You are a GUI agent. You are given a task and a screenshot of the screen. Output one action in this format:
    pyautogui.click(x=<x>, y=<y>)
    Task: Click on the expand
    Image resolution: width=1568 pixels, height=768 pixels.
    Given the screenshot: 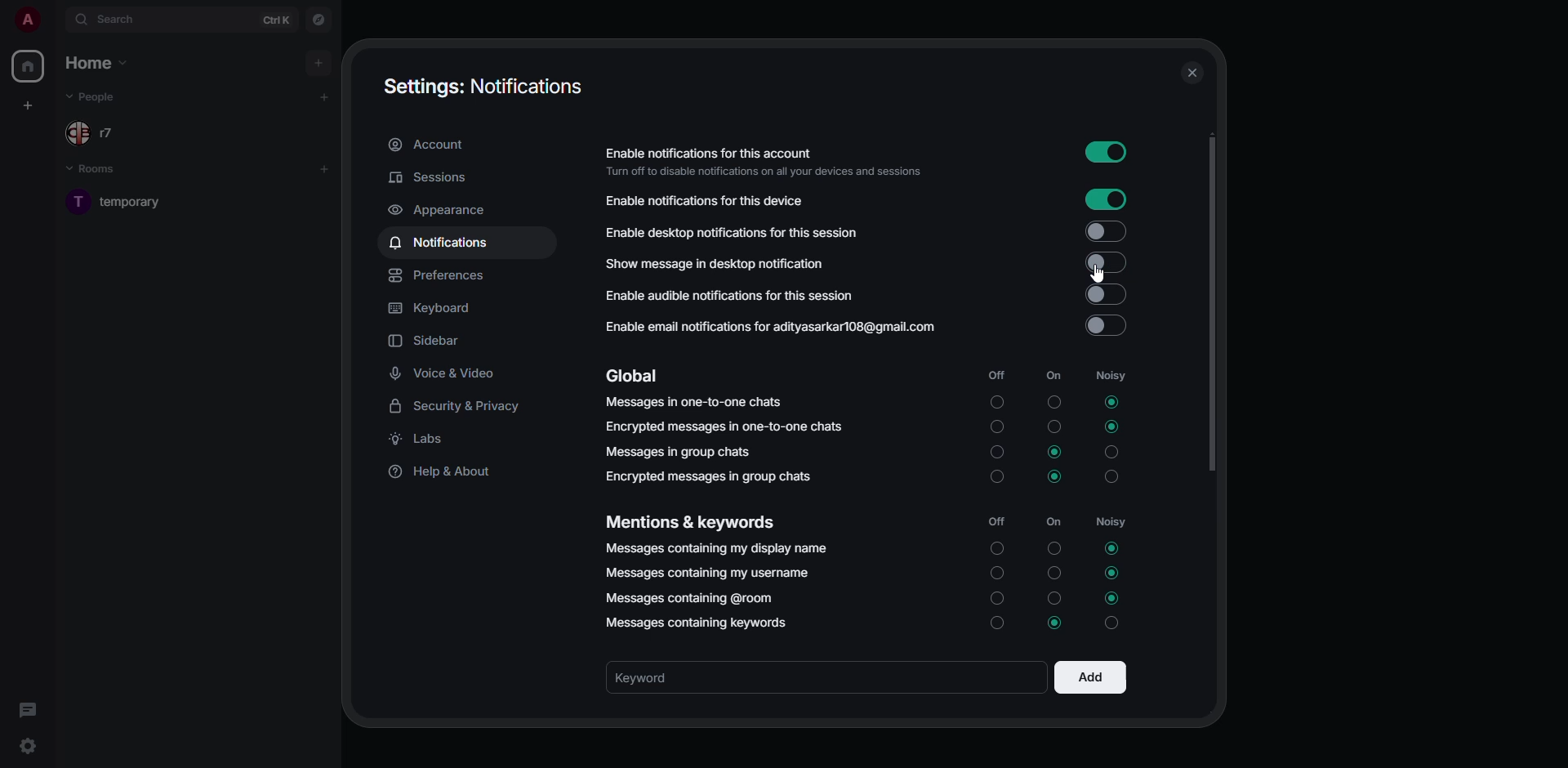 What is the action you would take?
    pyautogui.click(x=55, y=19)
    